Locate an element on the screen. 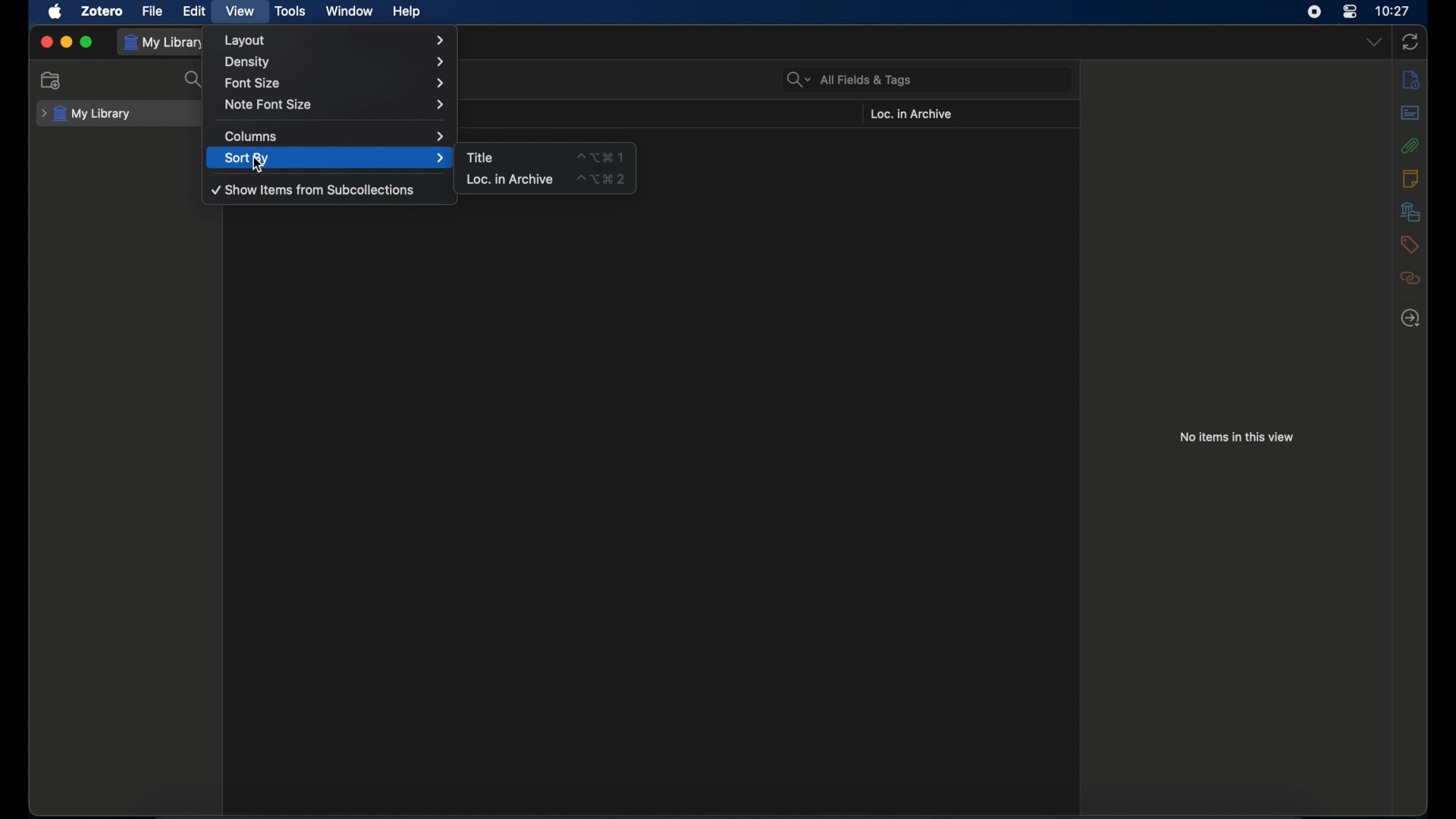 The image size is (1456, 819). loc. in archive is located at coordinates (911, 114).